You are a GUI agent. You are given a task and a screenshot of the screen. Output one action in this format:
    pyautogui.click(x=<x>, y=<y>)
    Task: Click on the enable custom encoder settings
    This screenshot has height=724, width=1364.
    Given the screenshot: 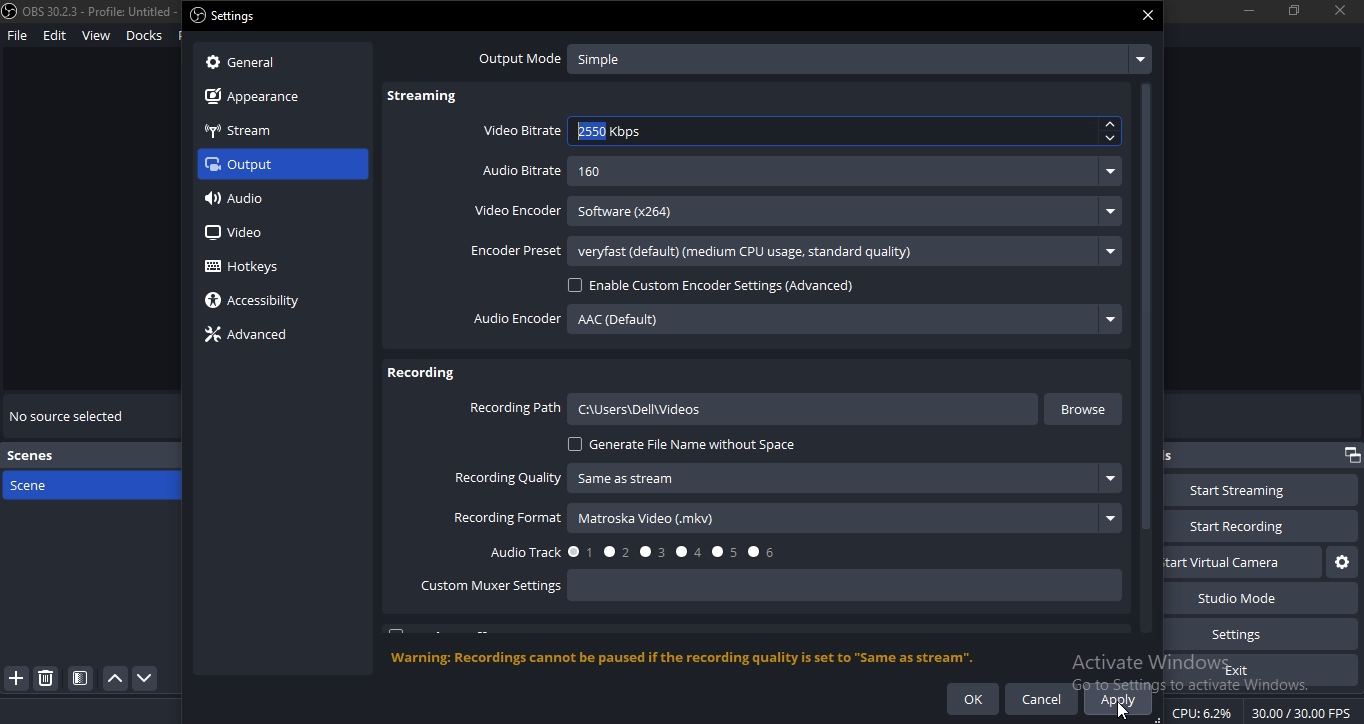 What is the action you would take?
    pyautogui.click(x=718, y=285)
    